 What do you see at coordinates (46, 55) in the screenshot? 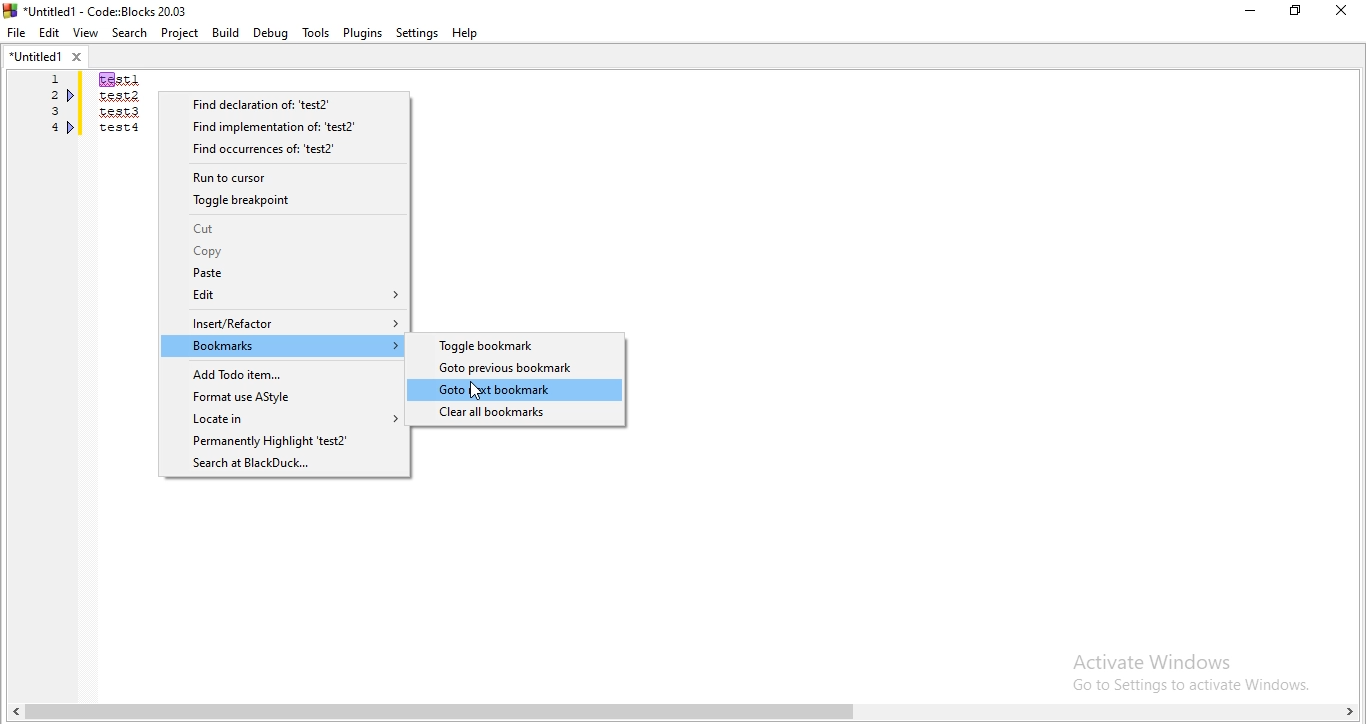
I see `untitled1` at bounding box center [46, 55].